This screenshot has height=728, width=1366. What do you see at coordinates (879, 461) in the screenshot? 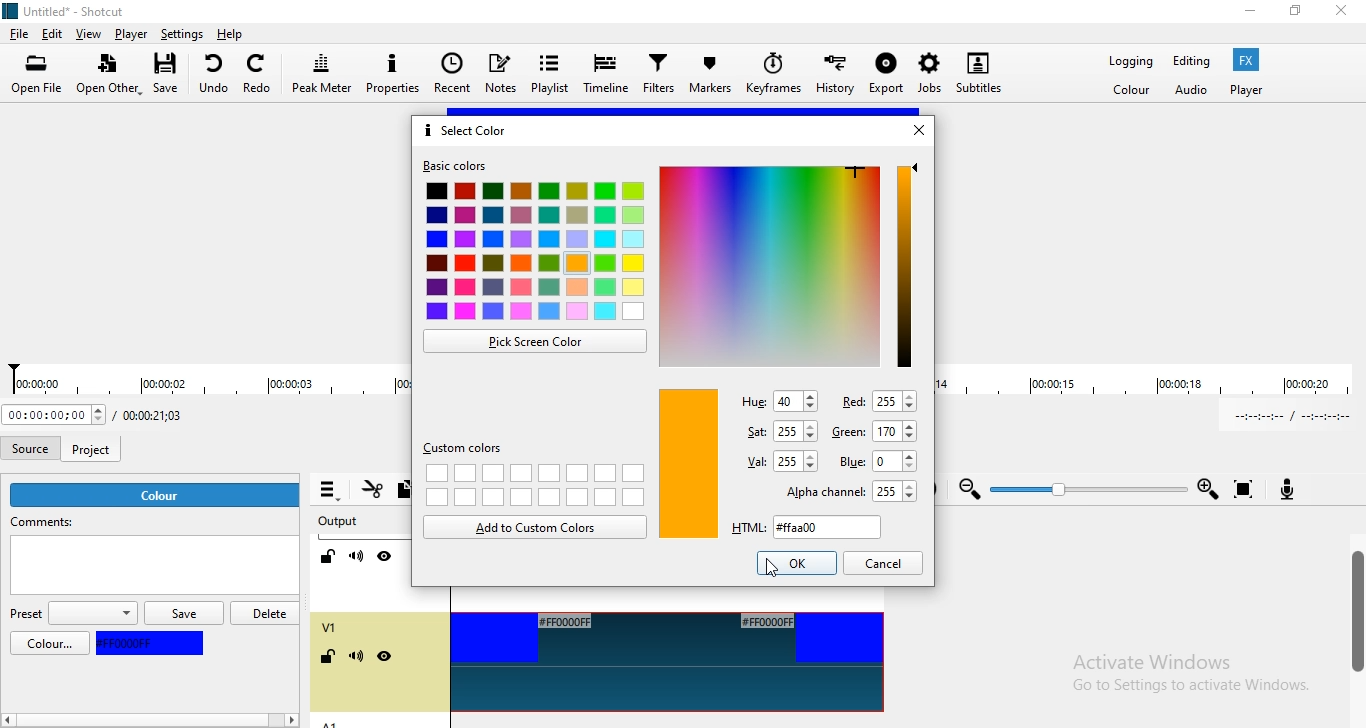
I see `blue` at bounding box center [879, 461].